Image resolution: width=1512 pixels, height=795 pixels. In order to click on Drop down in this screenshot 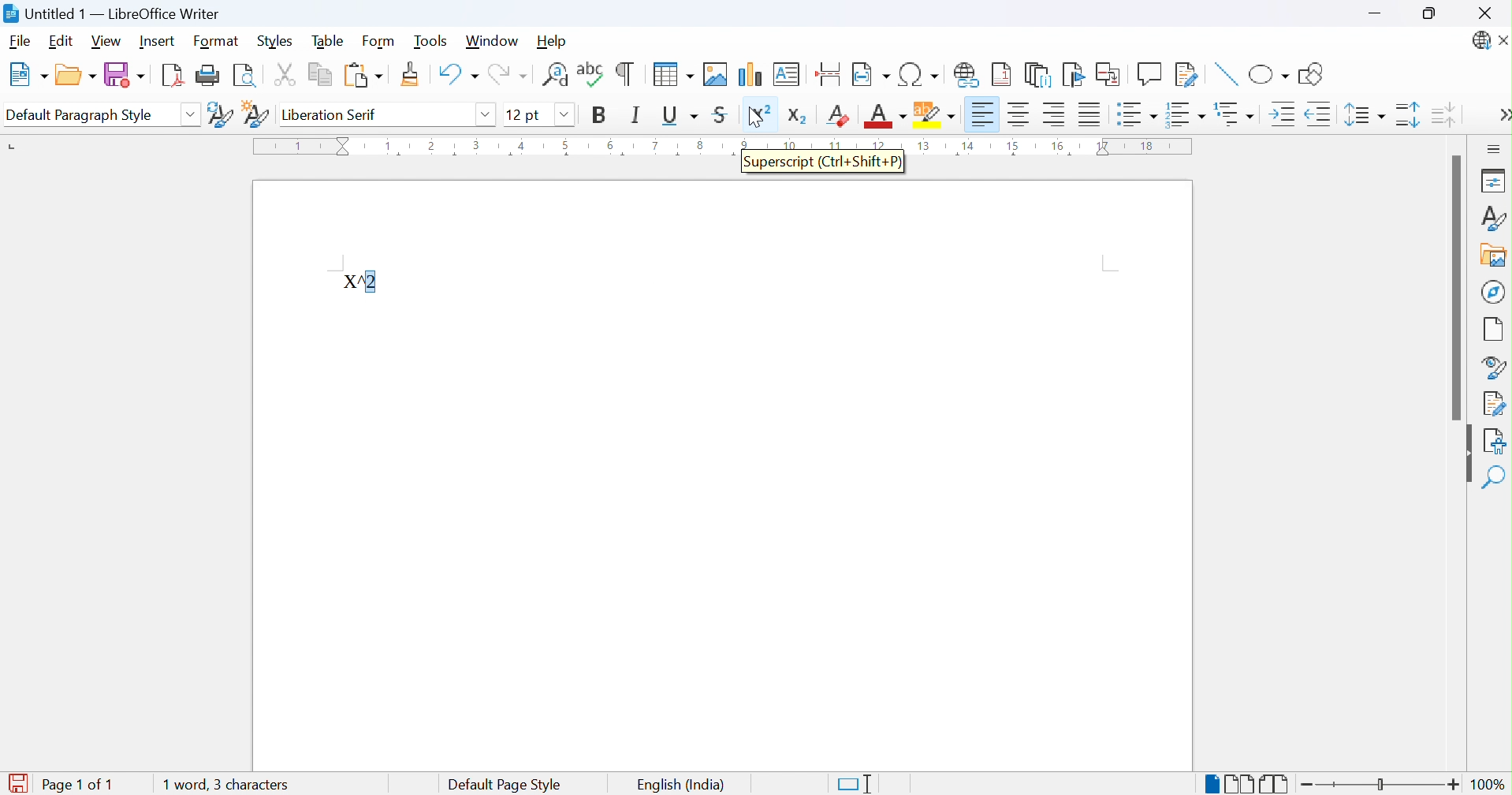, I will do `click(487, 114)`.